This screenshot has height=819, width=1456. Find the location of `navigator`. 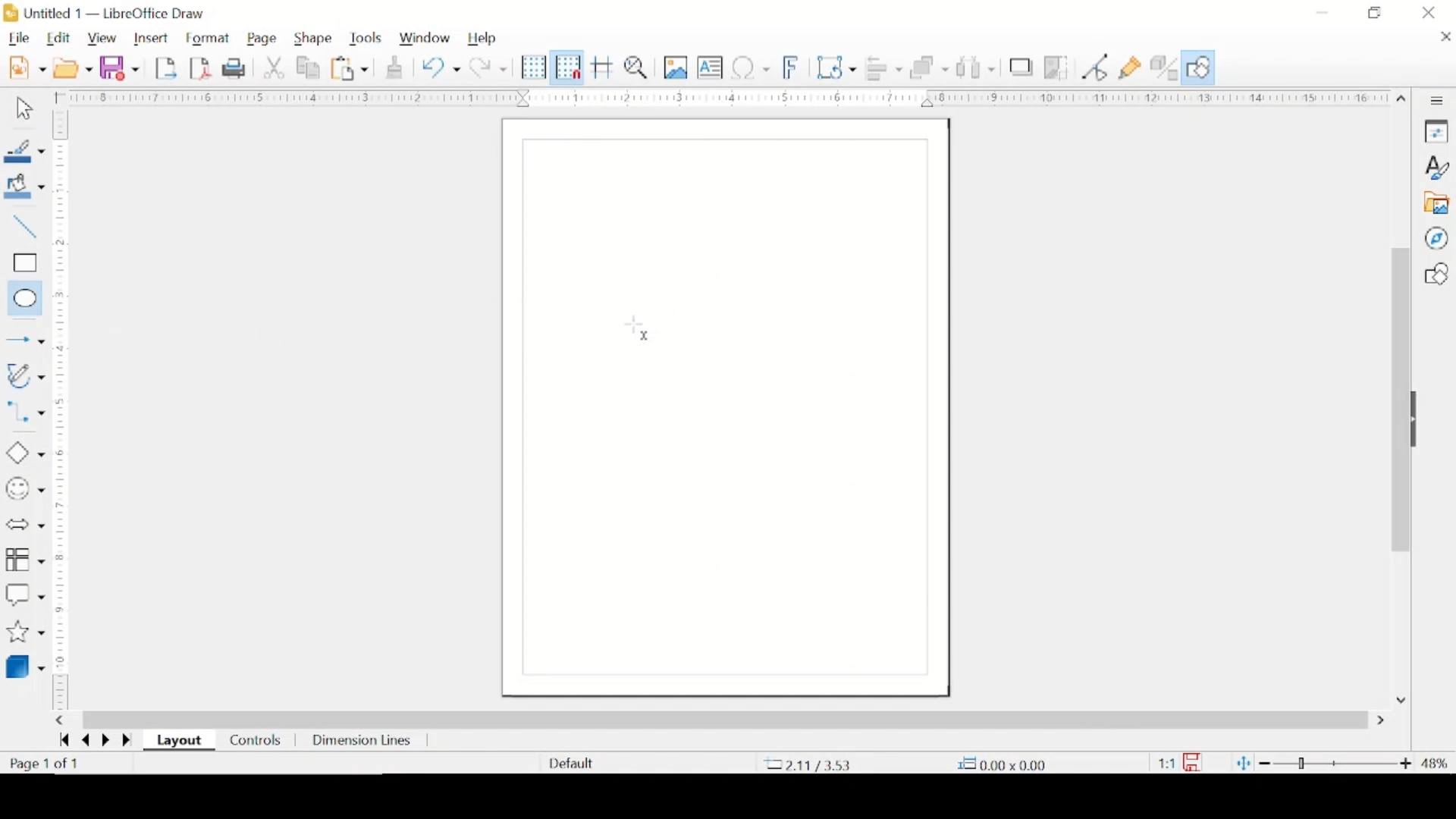

navigator is located at coordinates (1436, 238).